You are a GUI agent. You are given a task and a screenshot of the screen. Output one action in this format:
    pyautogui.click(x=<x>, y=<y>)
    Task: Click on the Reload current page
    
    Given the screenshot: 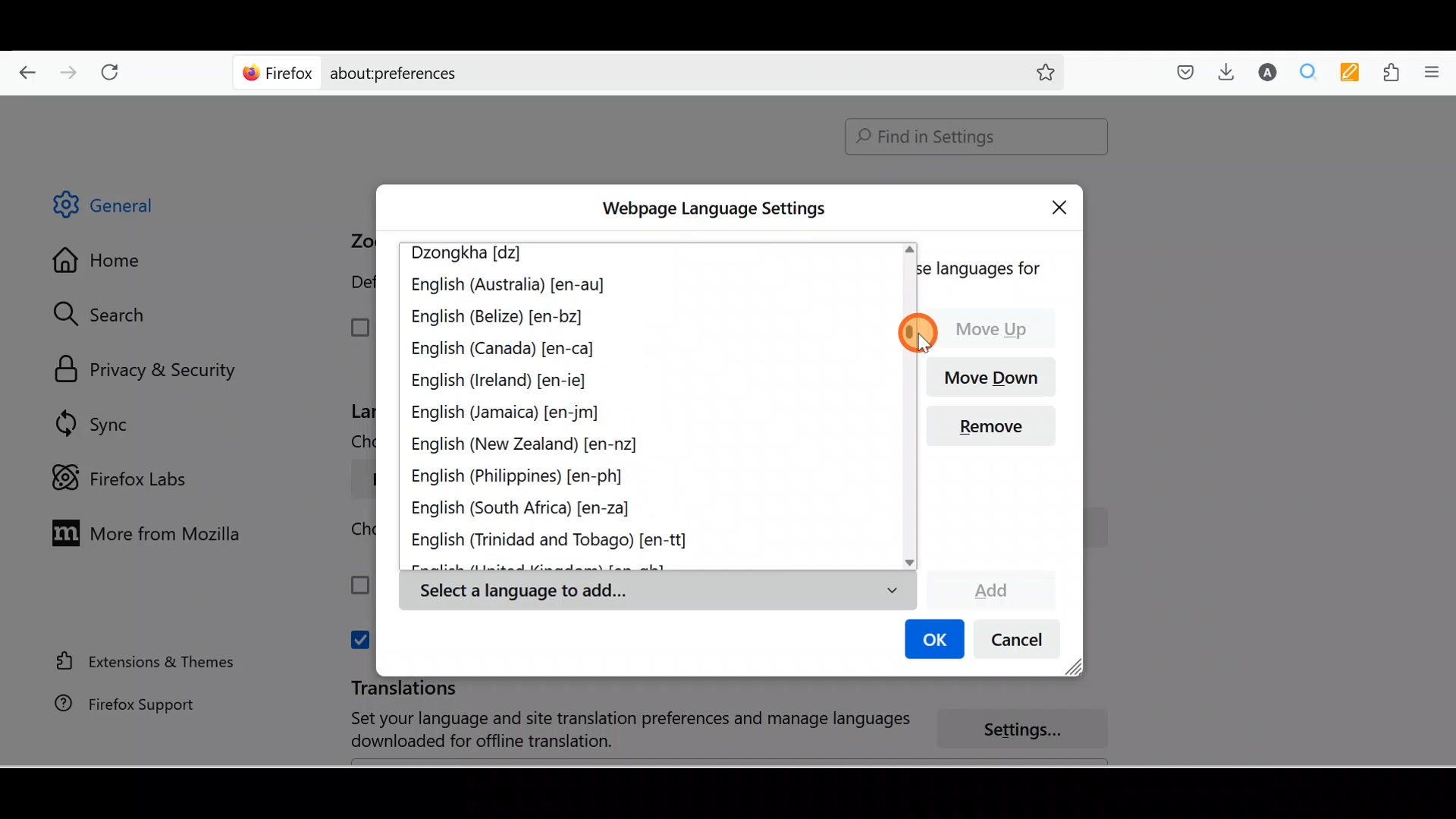 What is the action you would take?
    pyautogui.click(x=115, y=69)
    